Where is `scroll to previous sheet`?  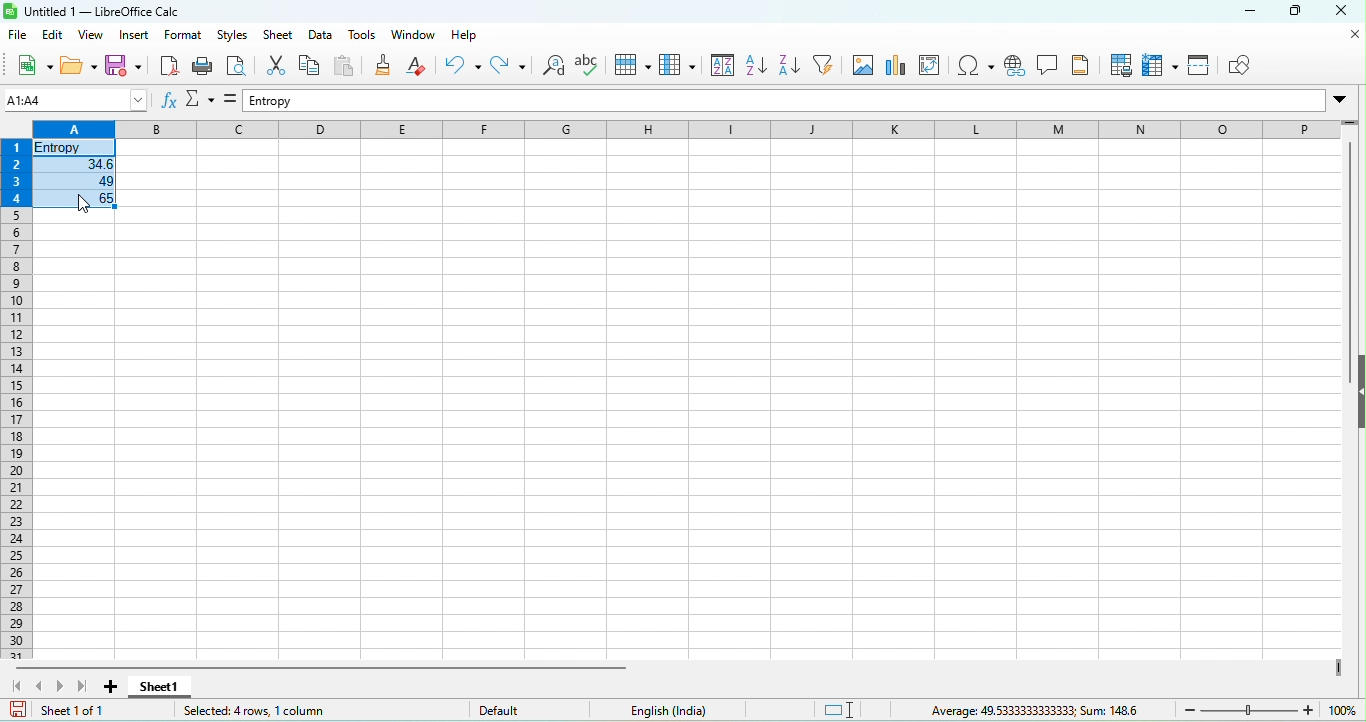 scroll to previous sheet is located at coordinates (43, 684).